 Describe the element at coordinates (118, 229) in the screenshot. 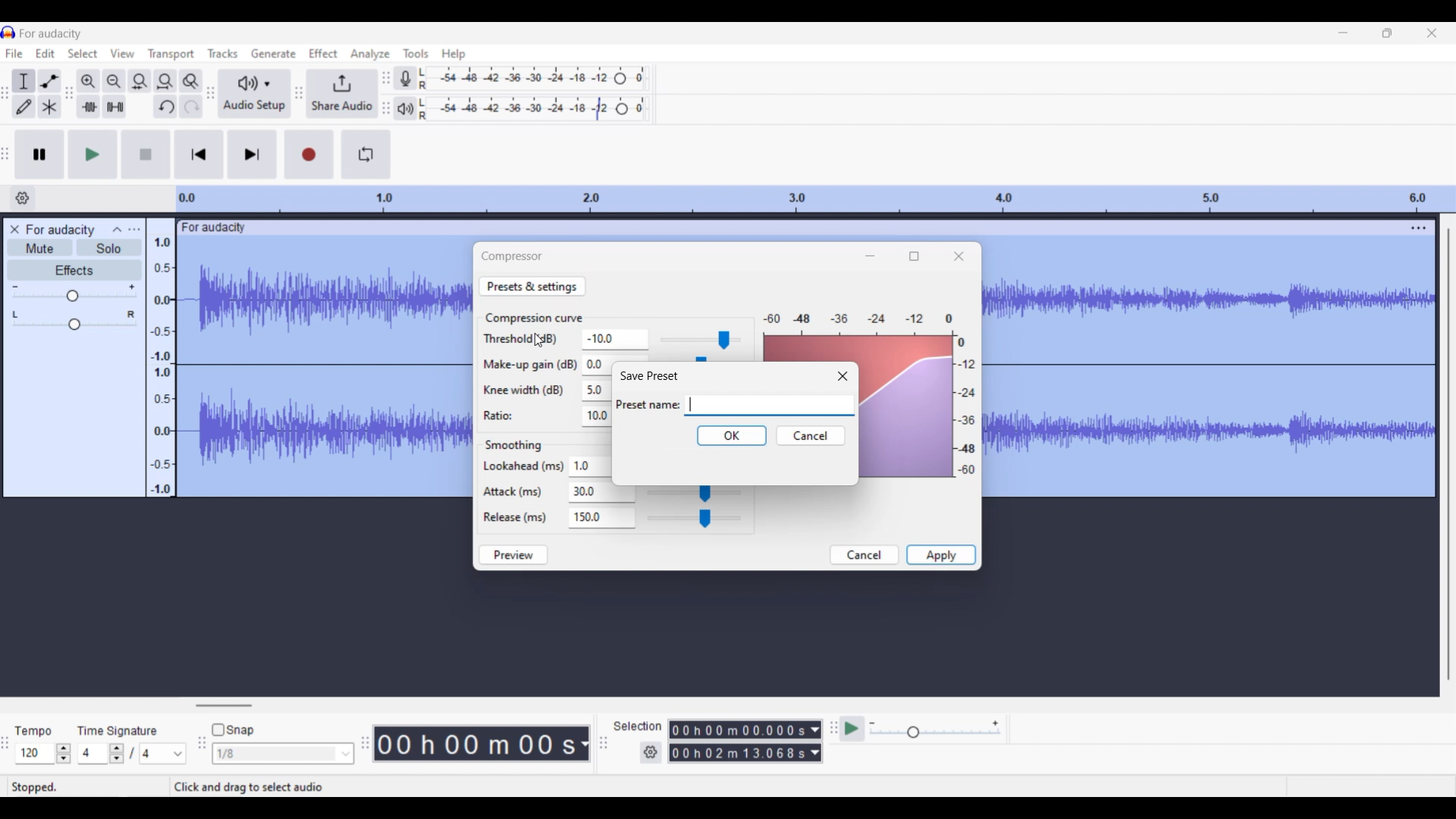

I see `Collpase` at that location.